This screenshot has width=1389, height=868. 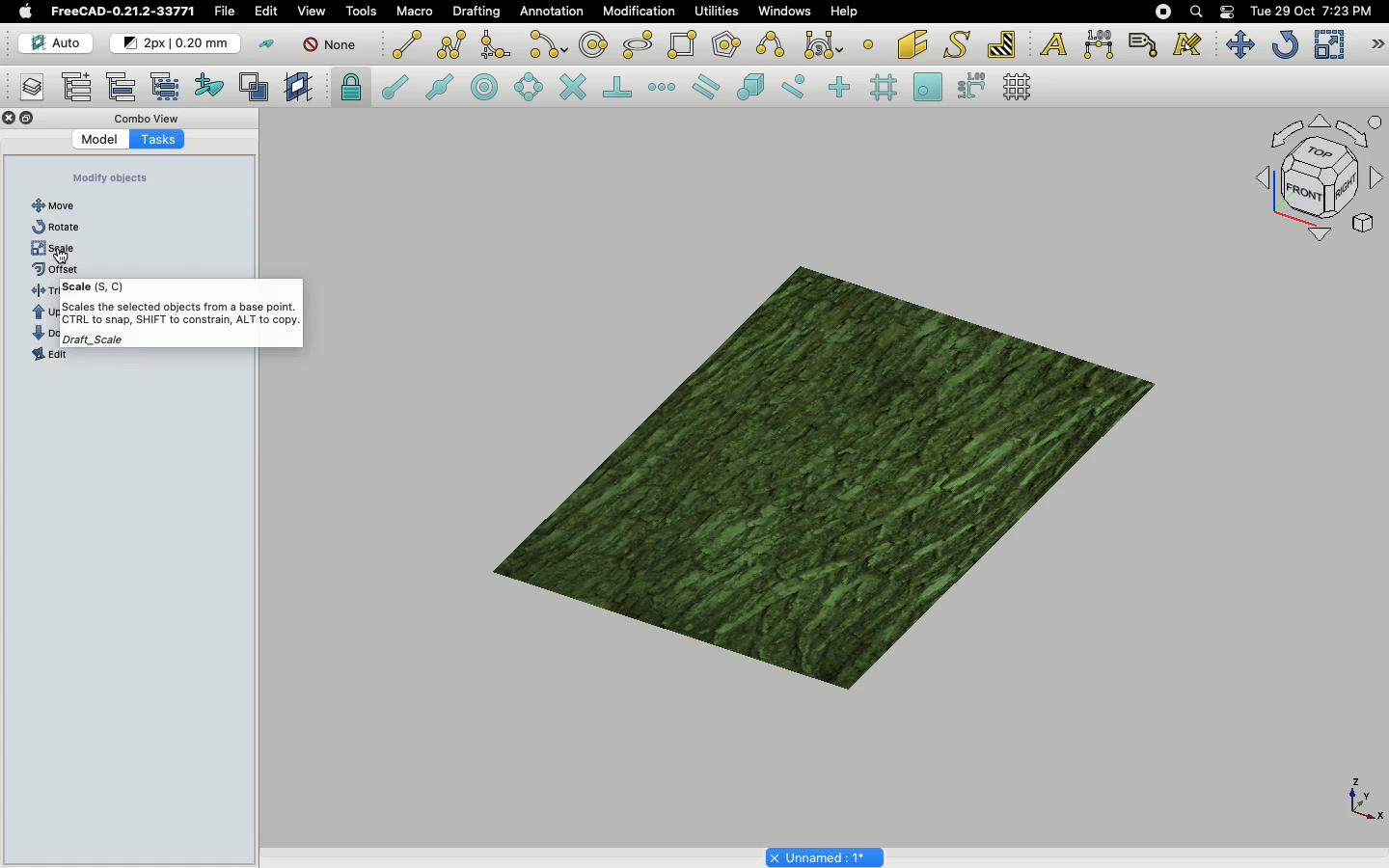 What do you see at coordinates (143, 116) in the screenshot?
I see `Combo view` at bounding box center [143, 116].